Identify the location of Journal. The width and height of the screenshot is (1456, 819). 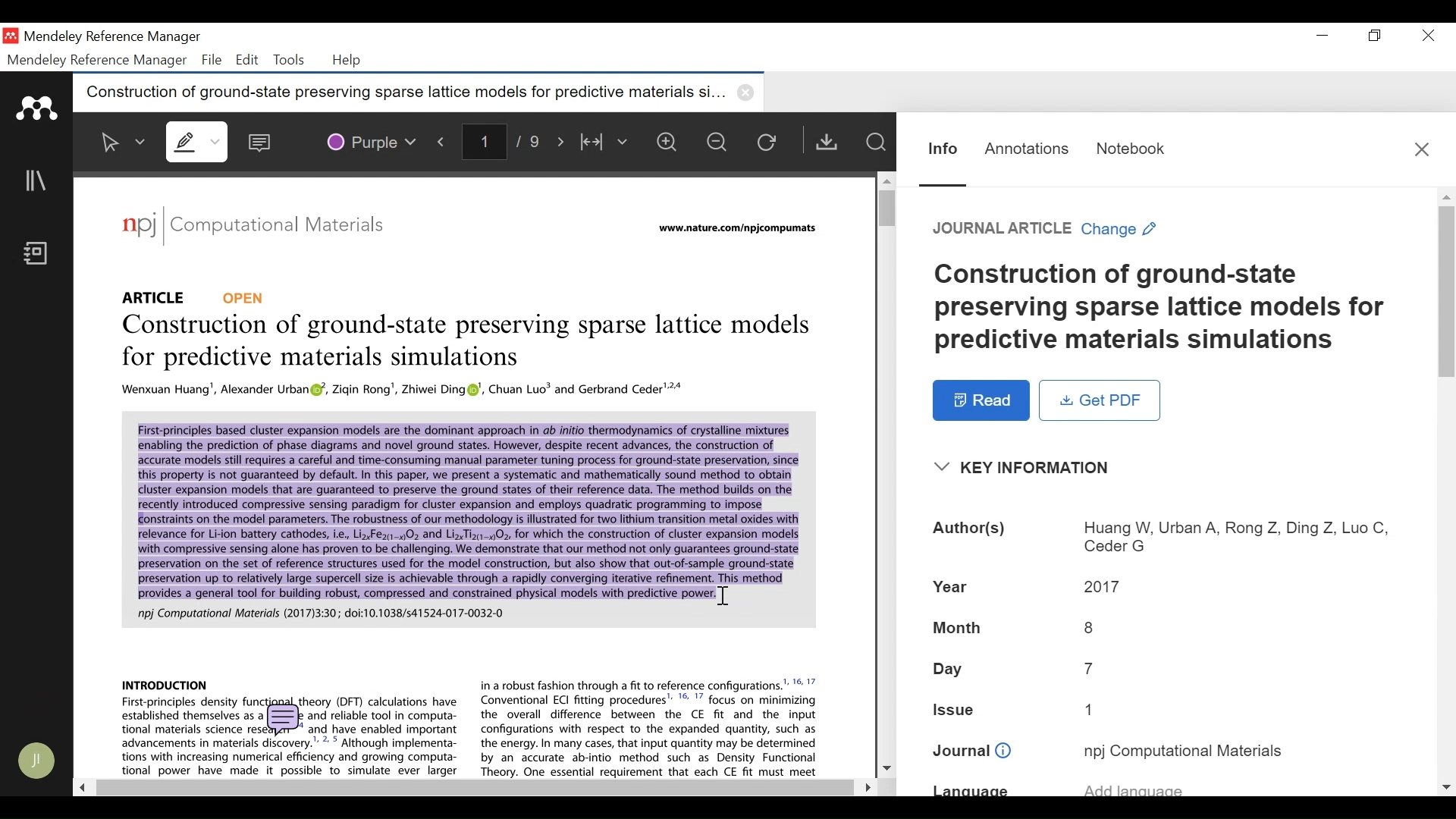
(1184, 750).